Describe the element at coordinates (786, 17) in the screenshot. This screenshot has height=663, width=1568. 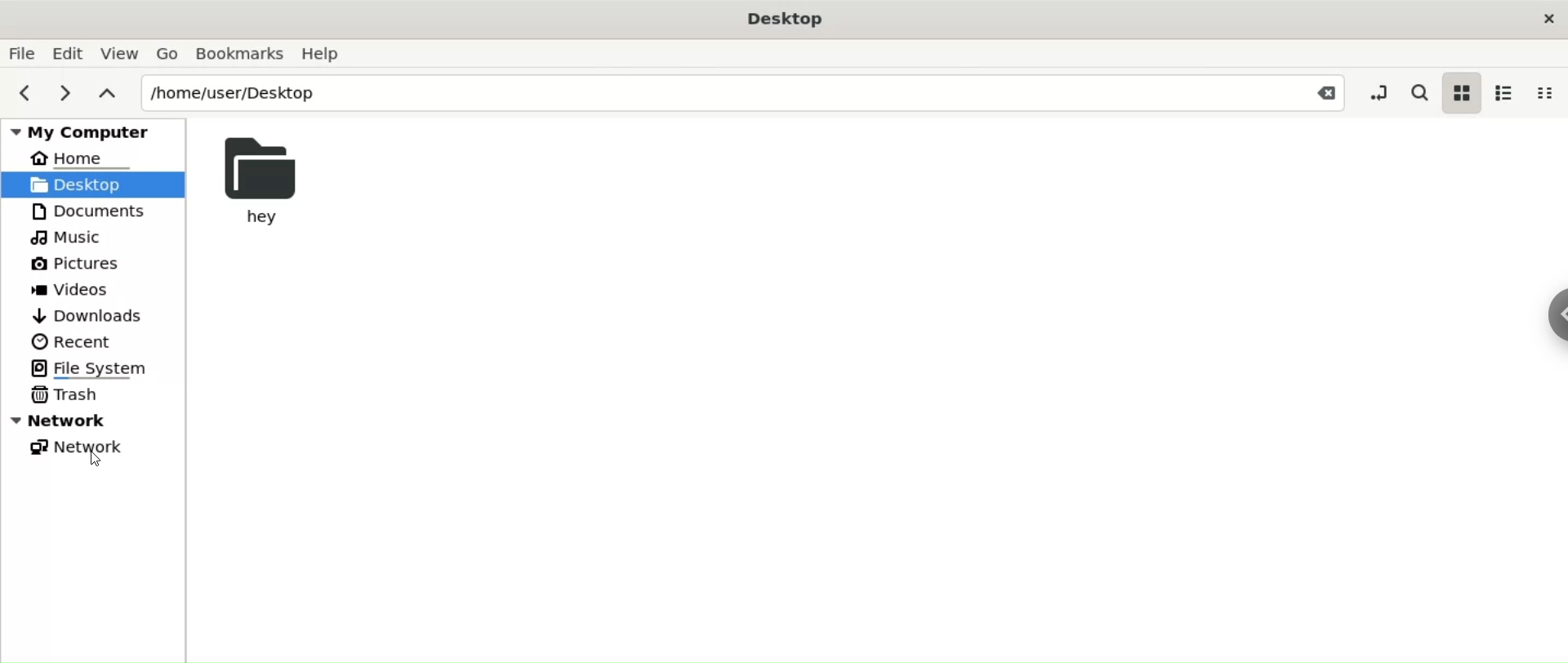
I see `Desktop` at that location.